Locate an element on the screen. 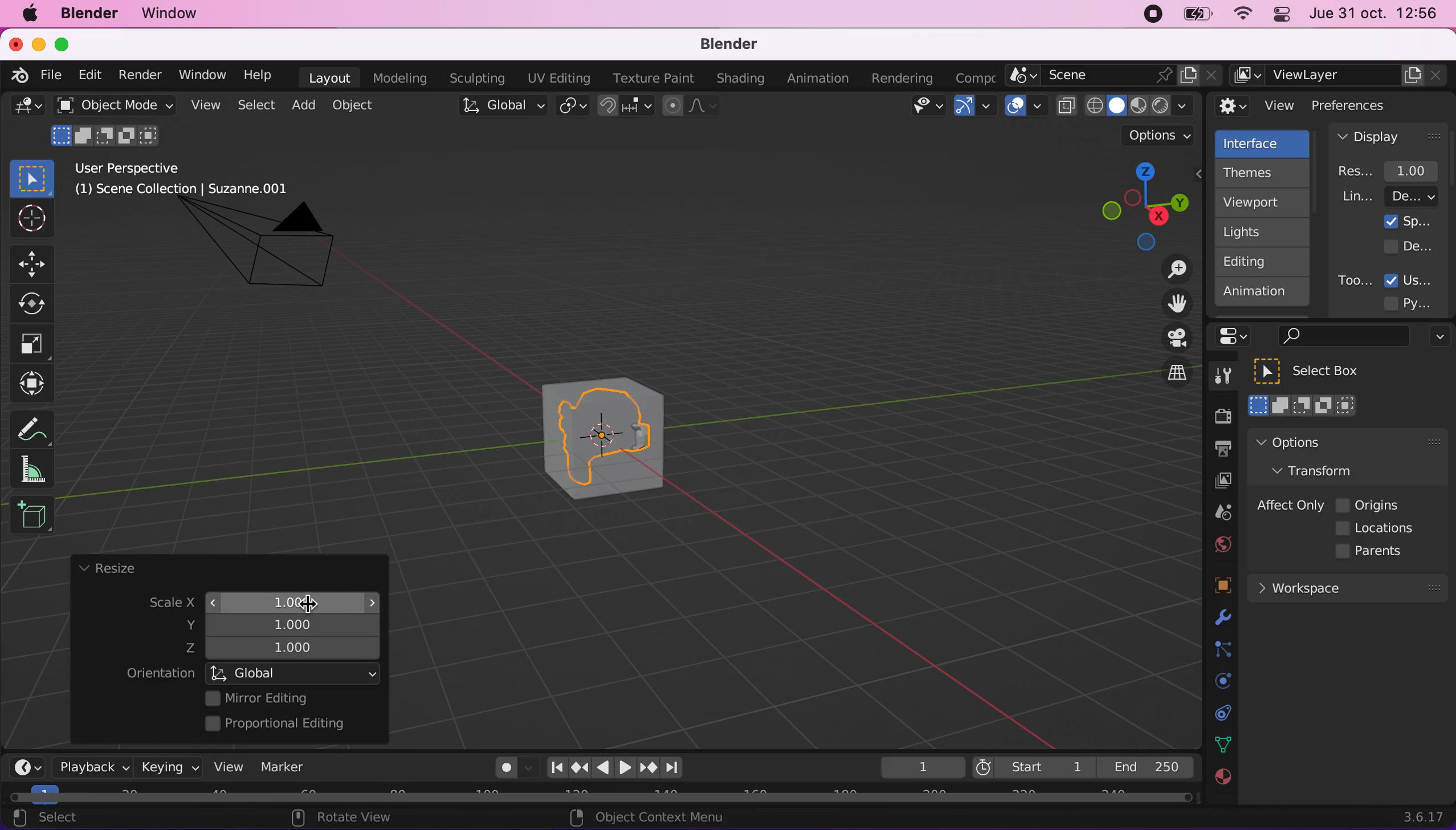  line width is located at coordinates (1389, 196).